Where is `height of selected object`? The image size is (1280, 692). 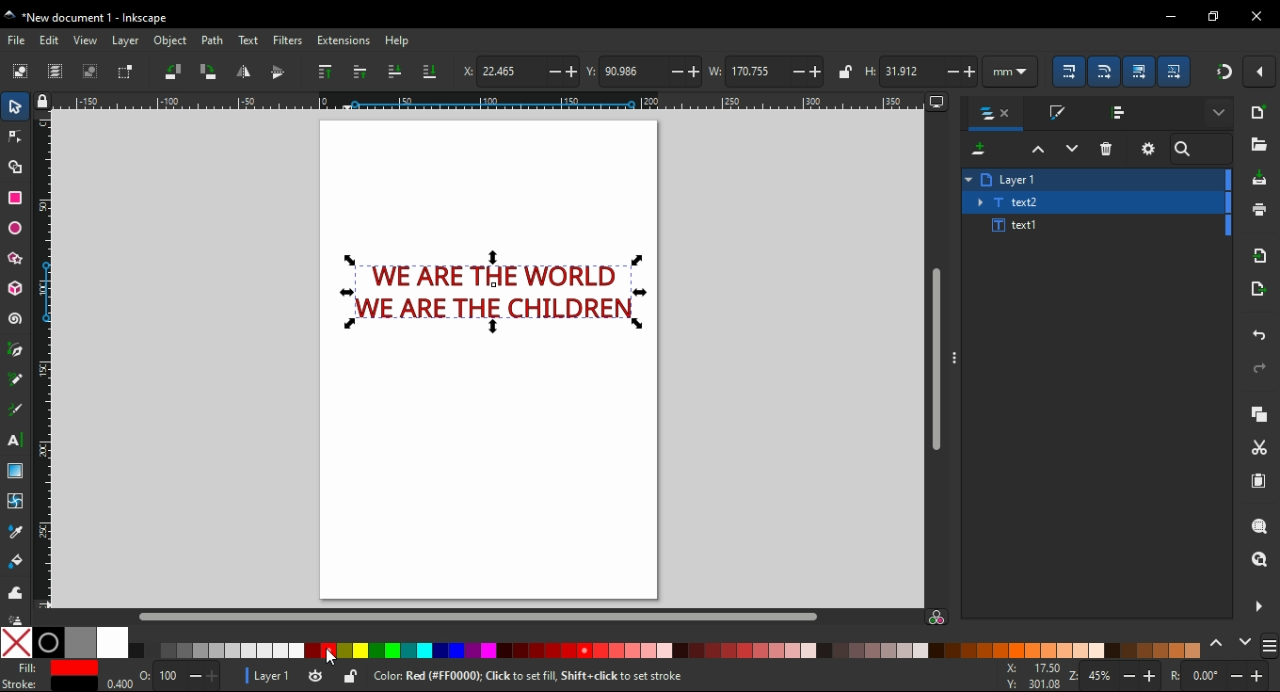 height of selected object is located at coordinates (919, 70).